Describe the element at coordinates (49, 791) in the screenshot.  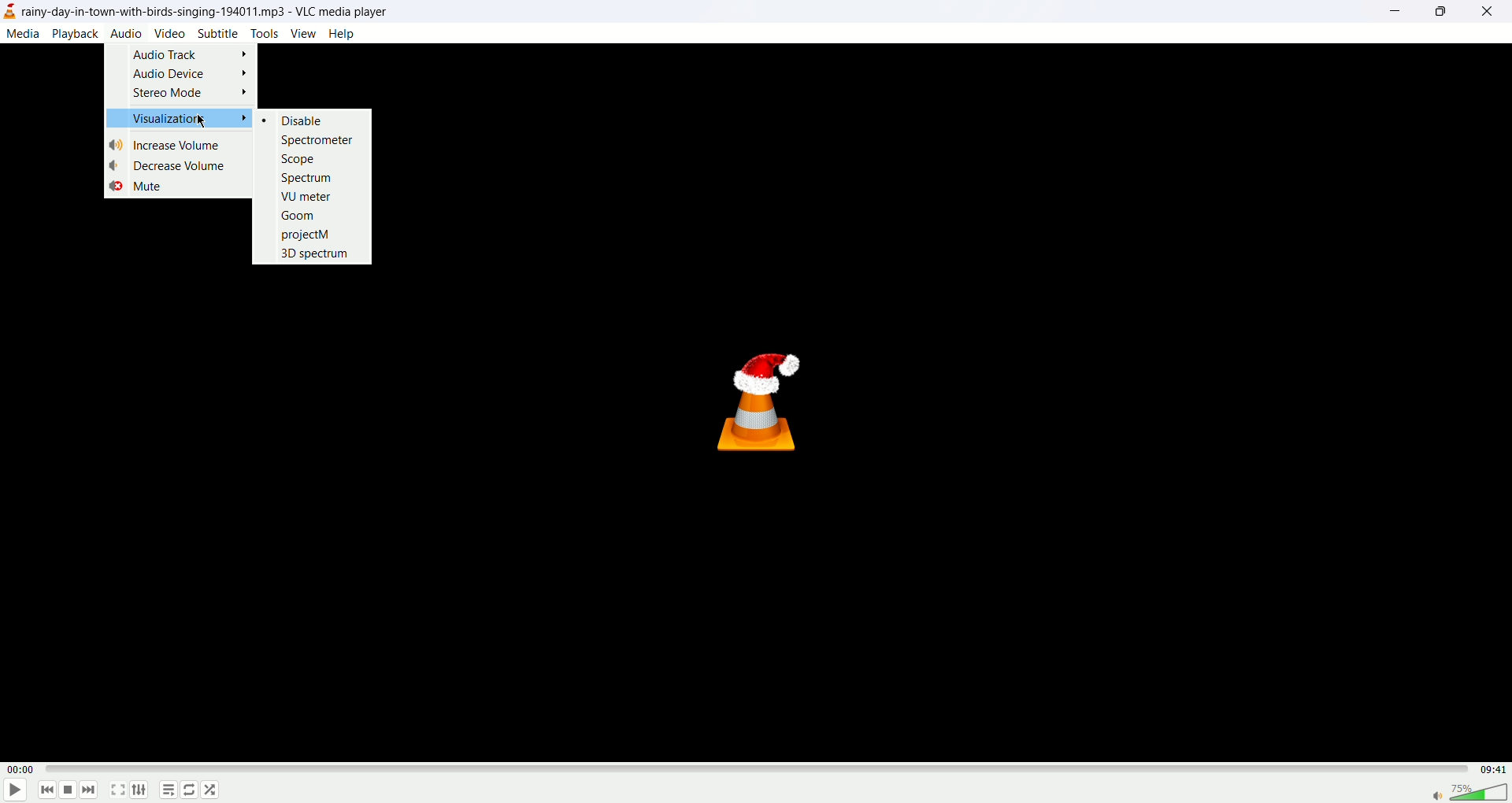
I see `previous` at that location.